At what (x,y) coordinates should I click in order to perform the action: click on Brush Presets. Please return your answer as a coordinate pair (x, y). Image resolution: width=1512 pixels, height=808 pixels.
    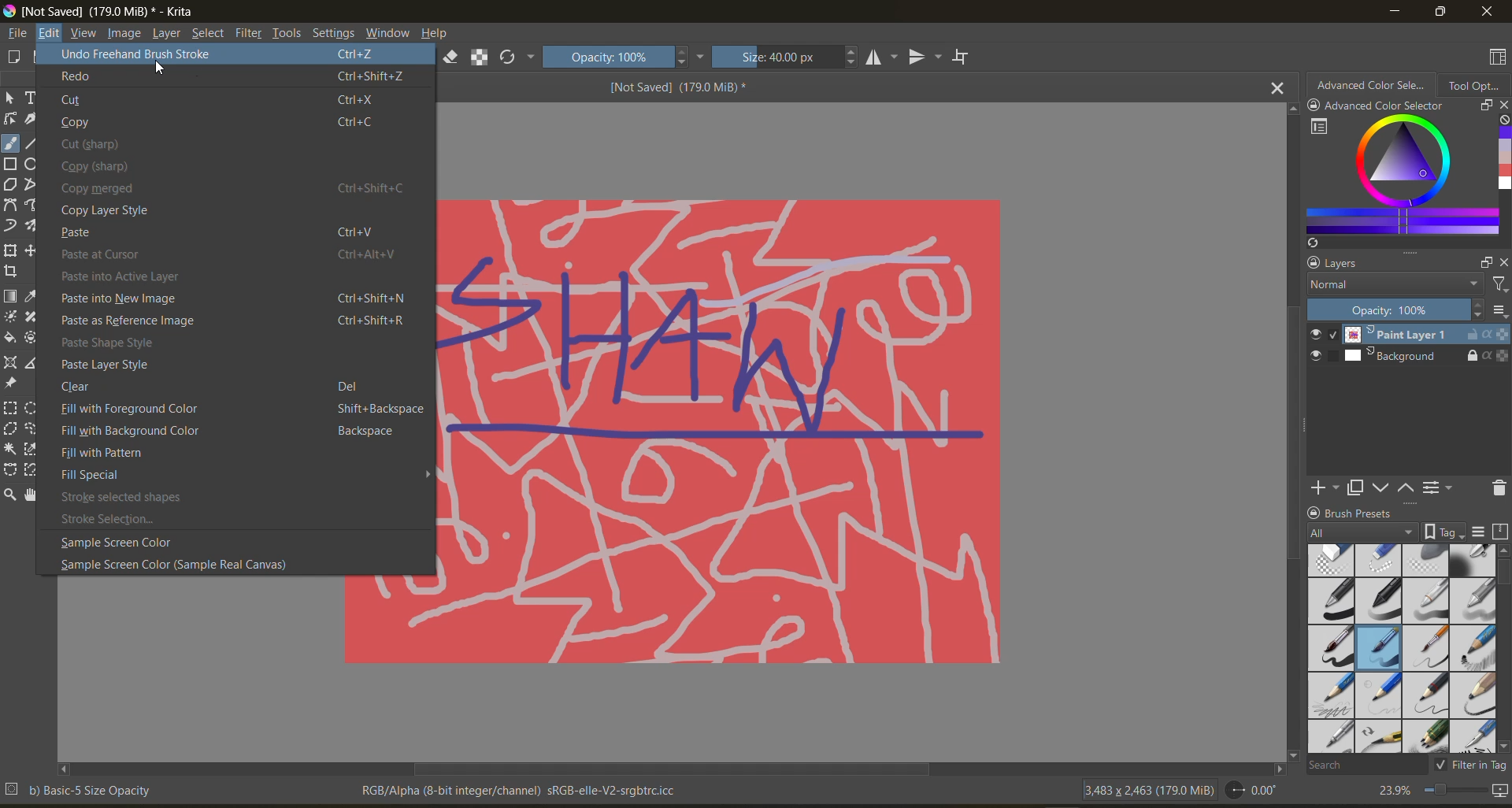
    Looking at the image, I should click on (1362, 512).